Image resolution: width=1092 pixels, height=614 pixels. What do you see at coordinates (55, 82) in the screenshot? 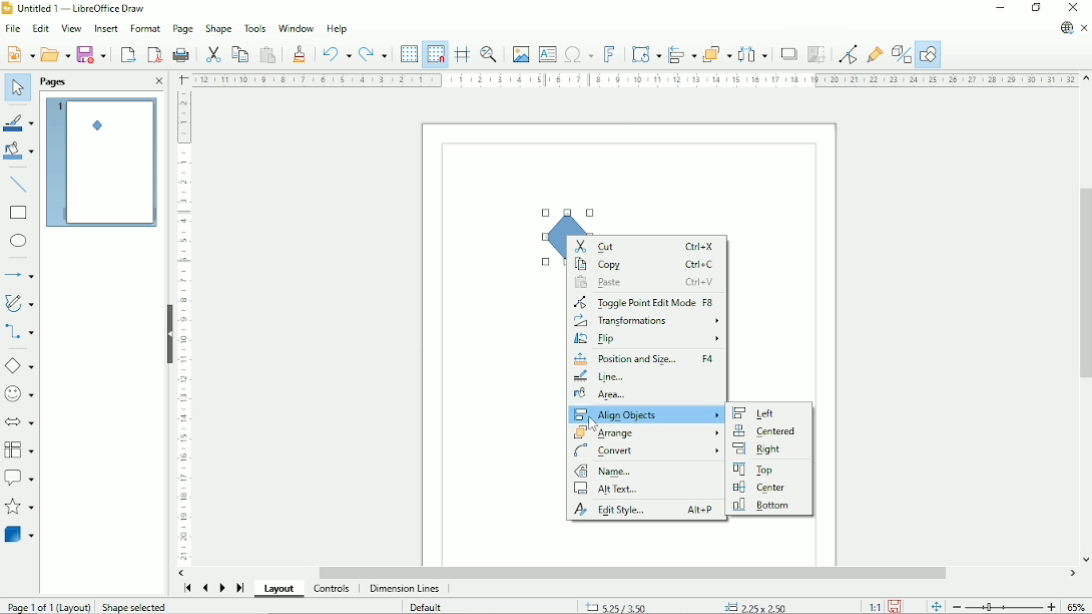
I see `Pages` at bounding box center [55, 82].